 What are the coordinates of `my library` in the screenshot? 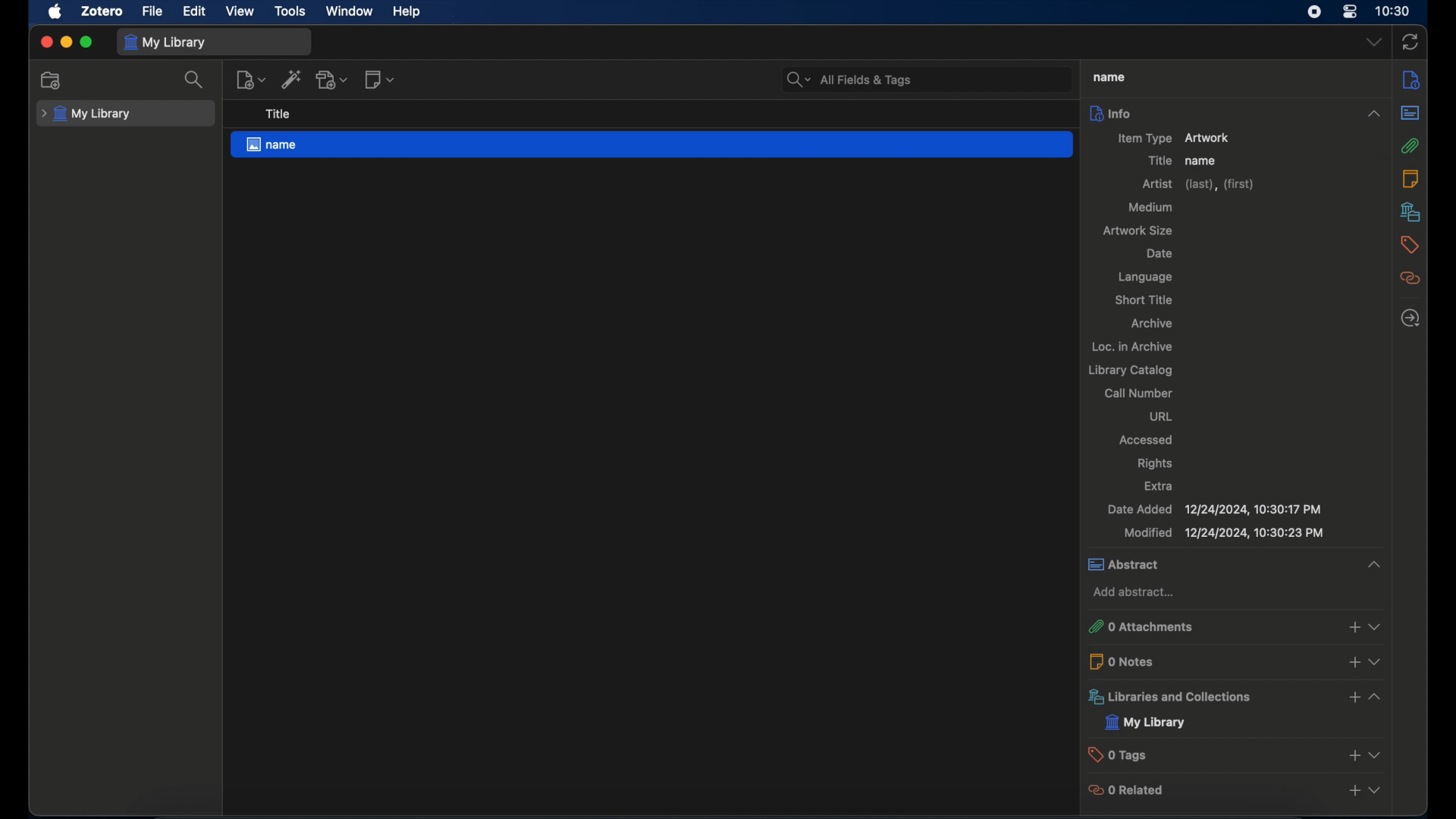 It's located at (1147, 722).